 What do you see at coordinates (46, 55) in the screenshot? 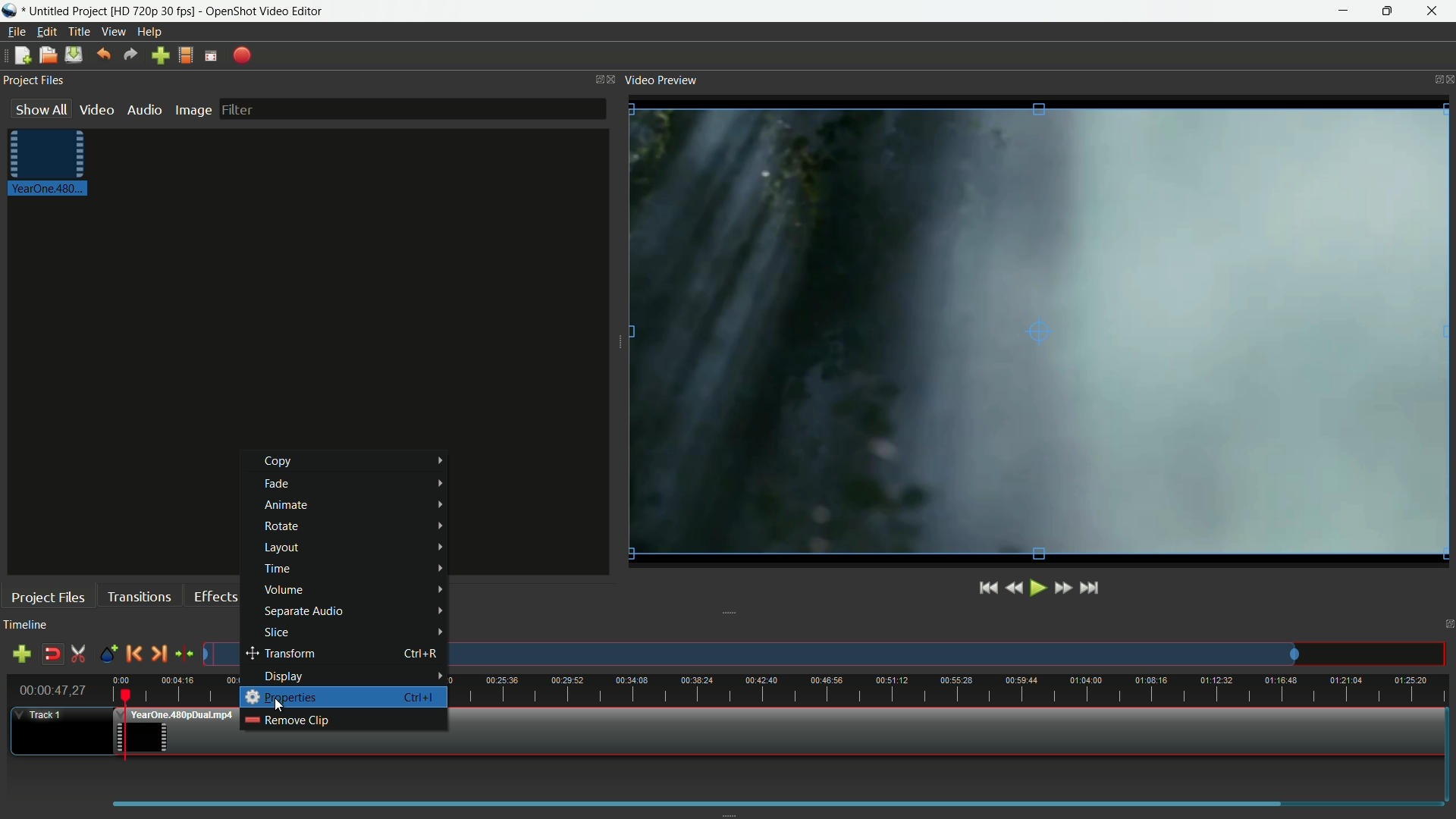
I see `open file` at bounding box center [46, 55].